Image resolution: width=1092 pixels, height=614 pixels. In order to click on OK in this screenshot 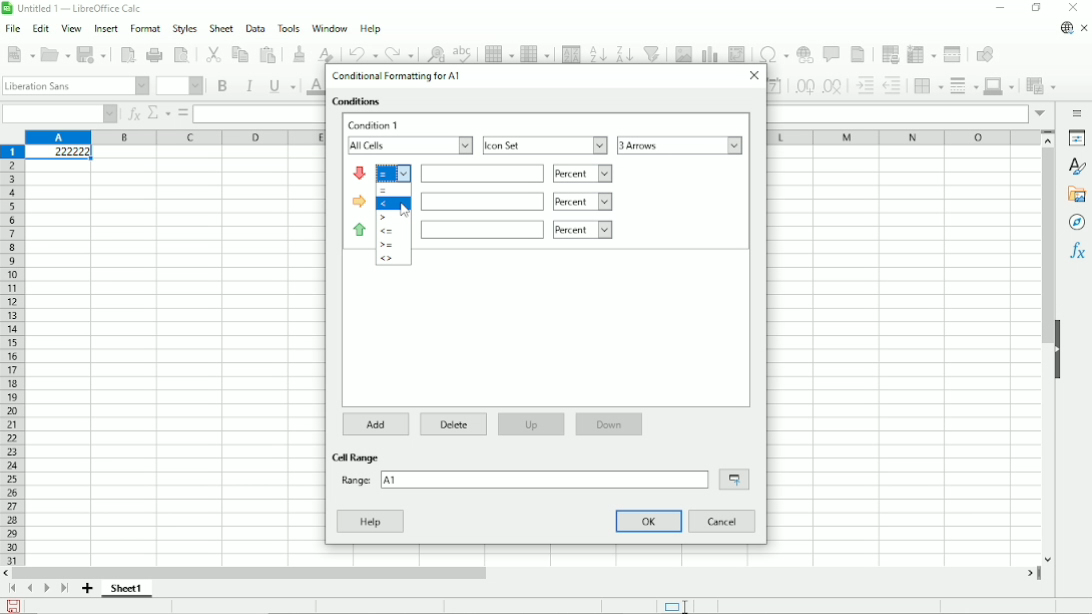, I will do `click(650, 521)`.